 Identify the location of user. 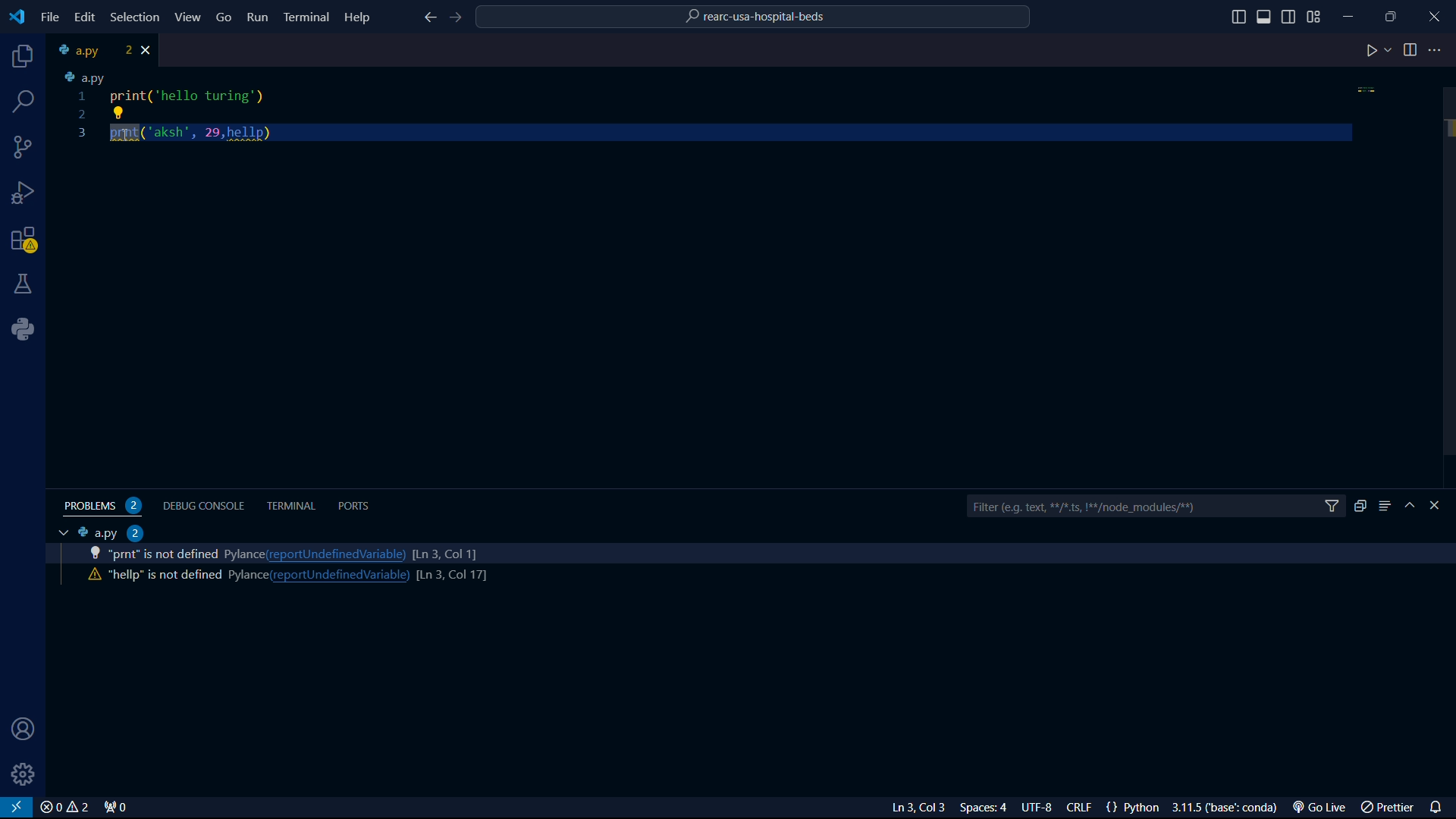
(19, 730).